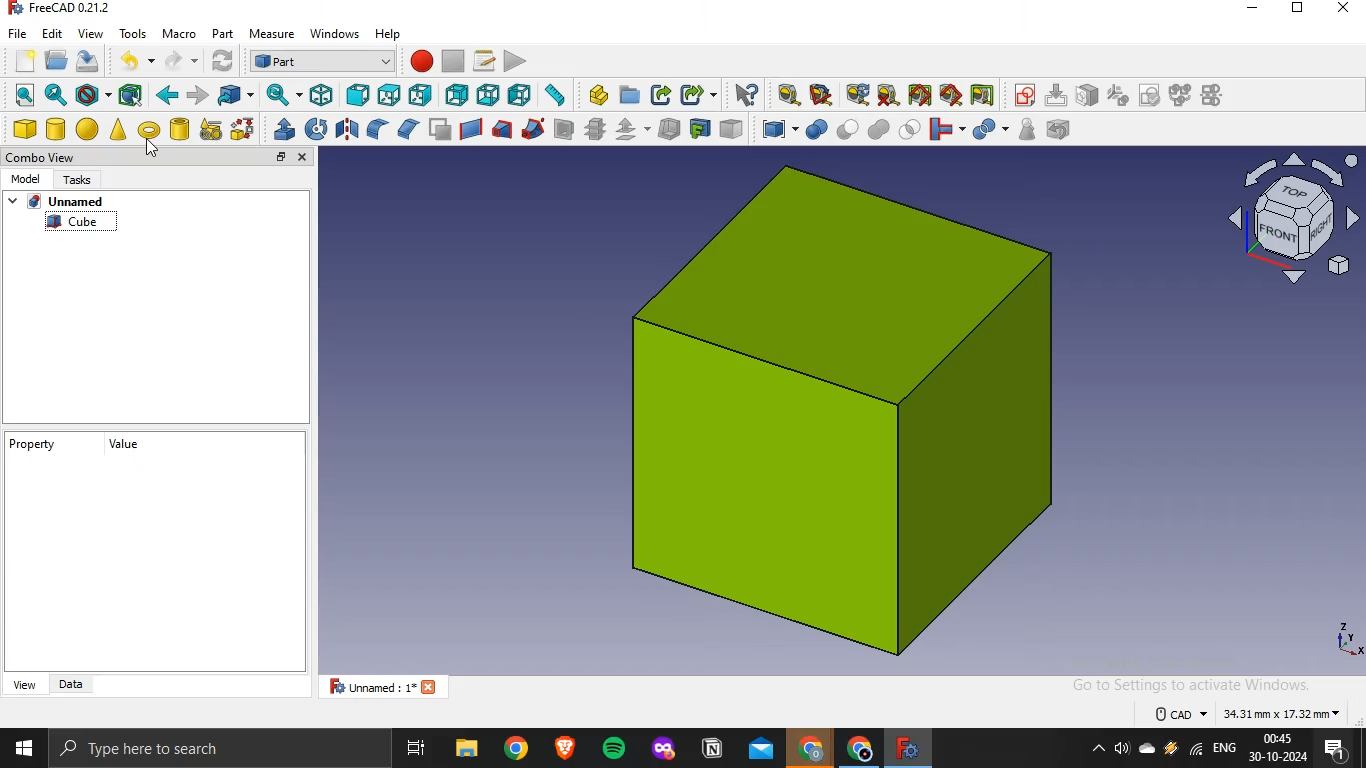  I want to click on cursor, so click(152, 148).